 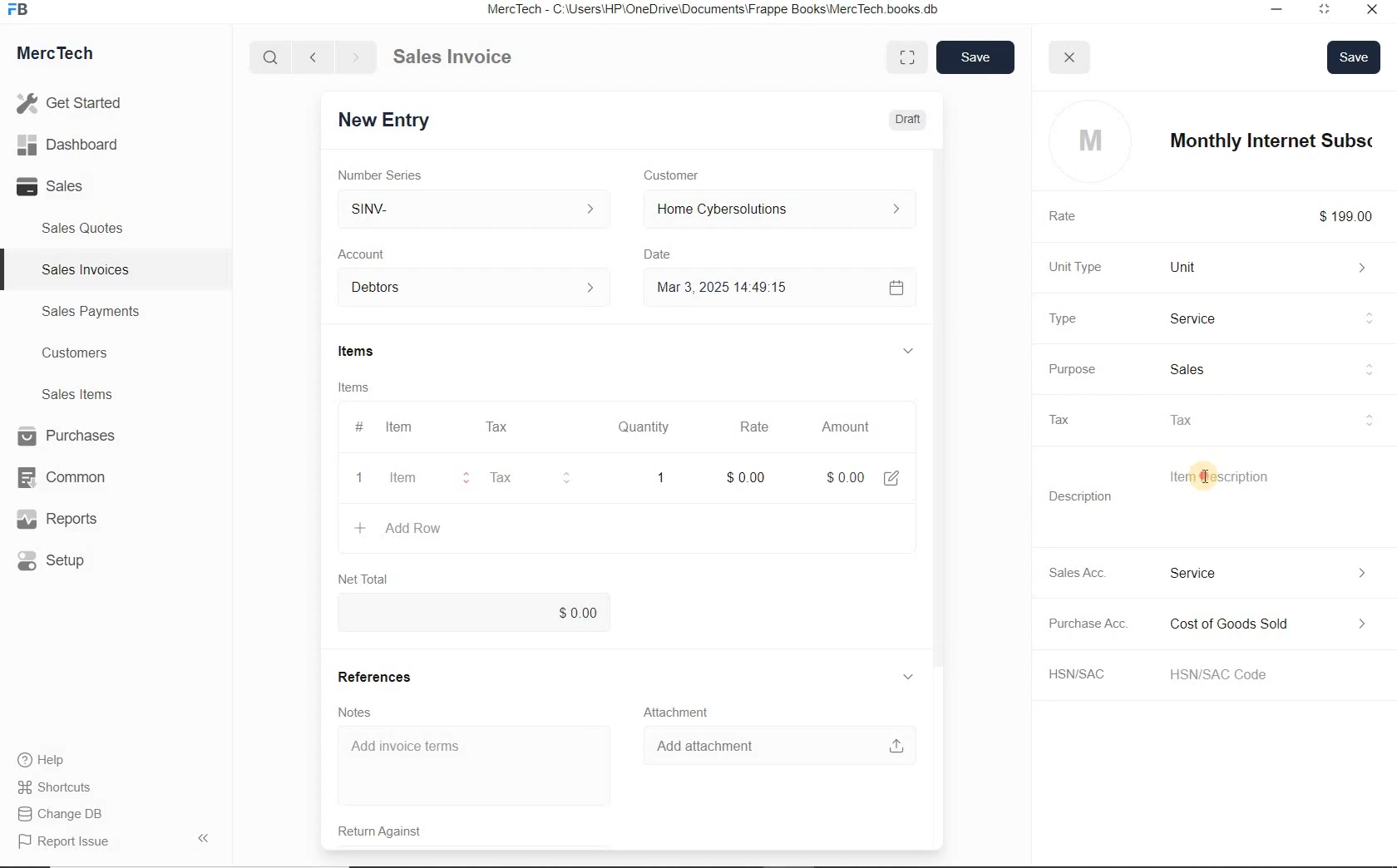 I want to click on Sales Items, so click(x=88, y=394).